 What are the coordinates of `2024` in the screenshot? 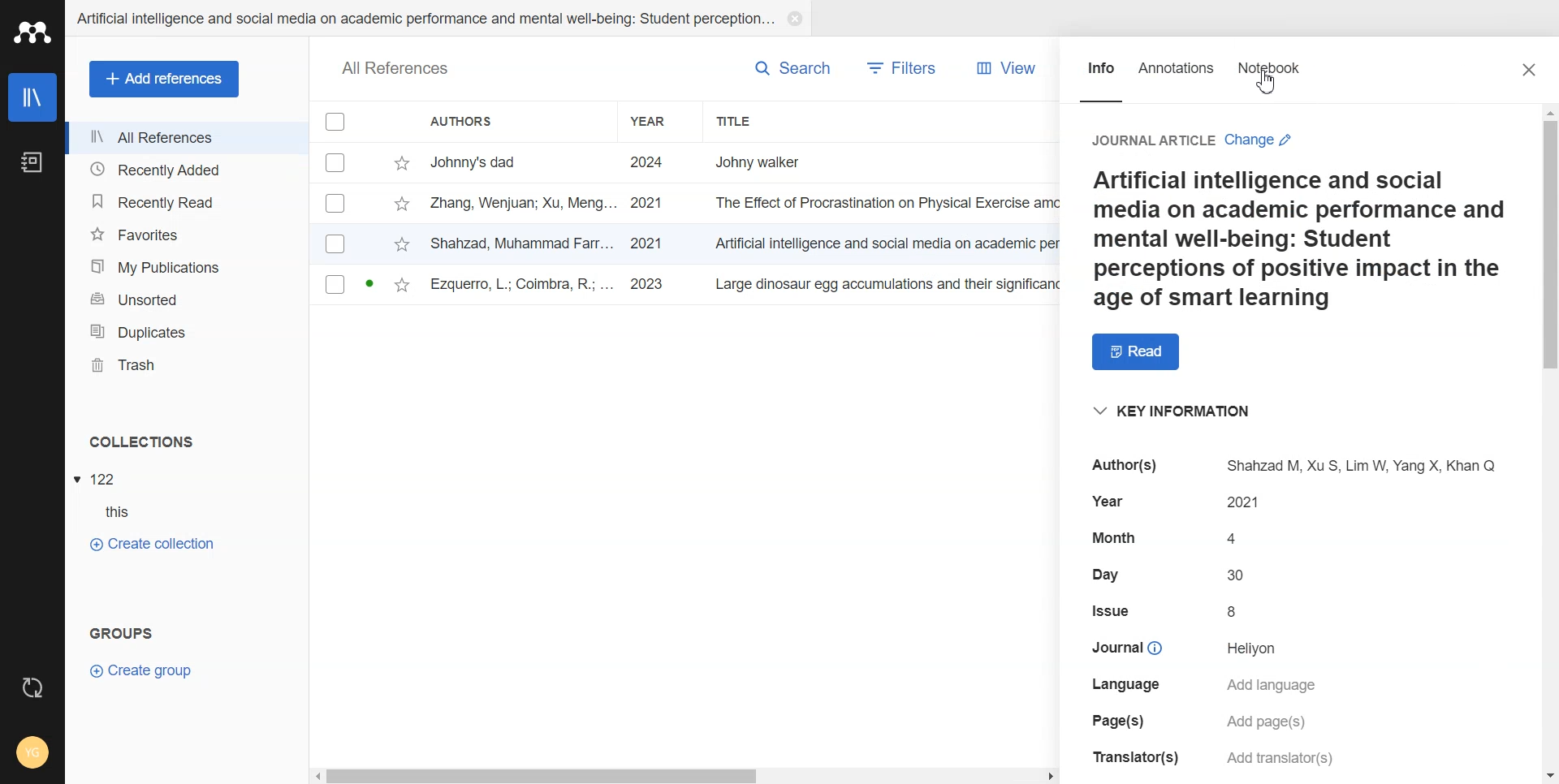 It's located at (648, 163).